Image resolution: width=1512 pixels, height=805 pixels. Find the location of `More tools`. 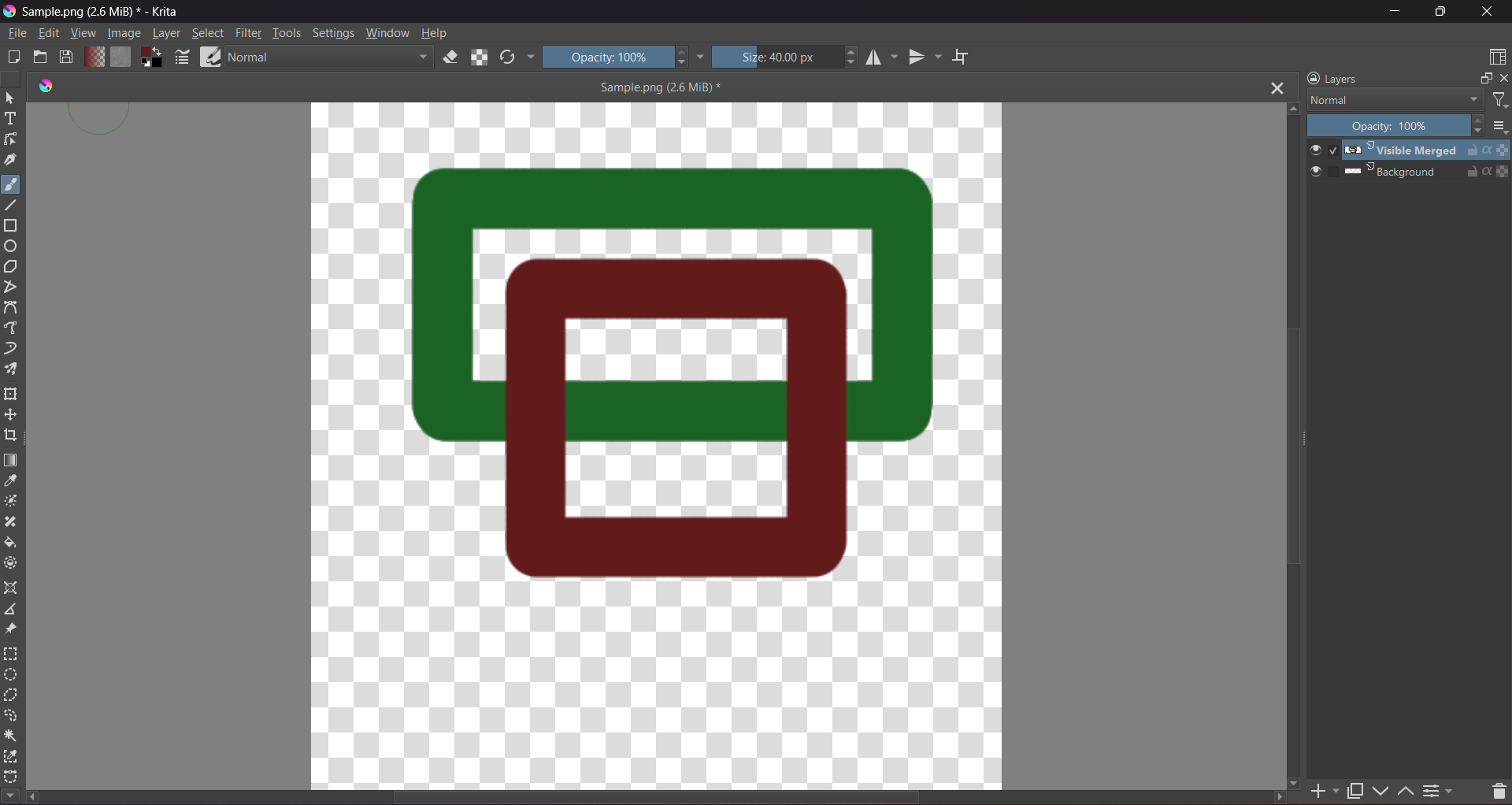

More tools is located at coordinates (10, 793).